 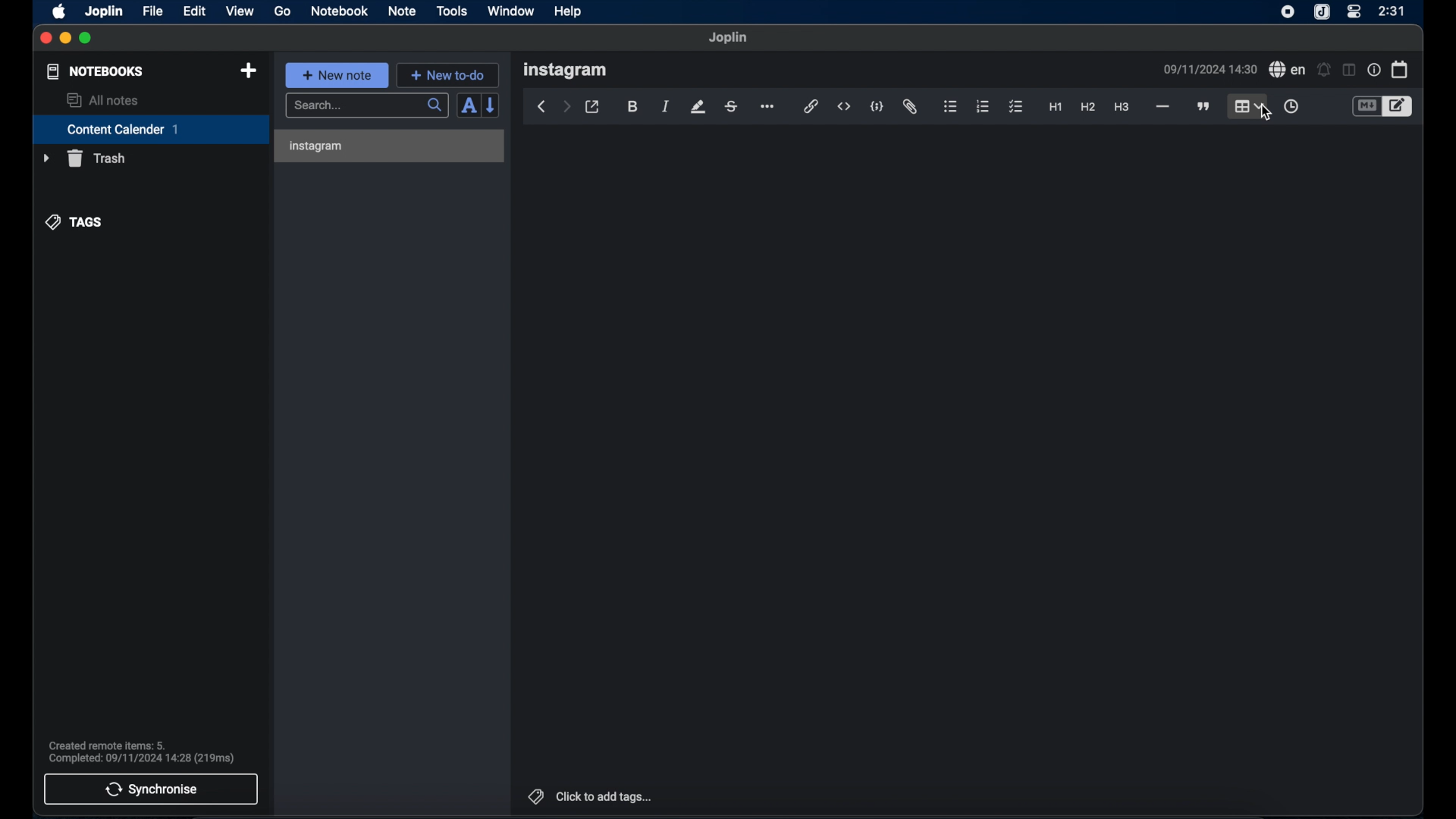 What do you see at coordinates (1365, 107) in the screenshot?
I see `toggle editor` at bounding box center [1365, 107].